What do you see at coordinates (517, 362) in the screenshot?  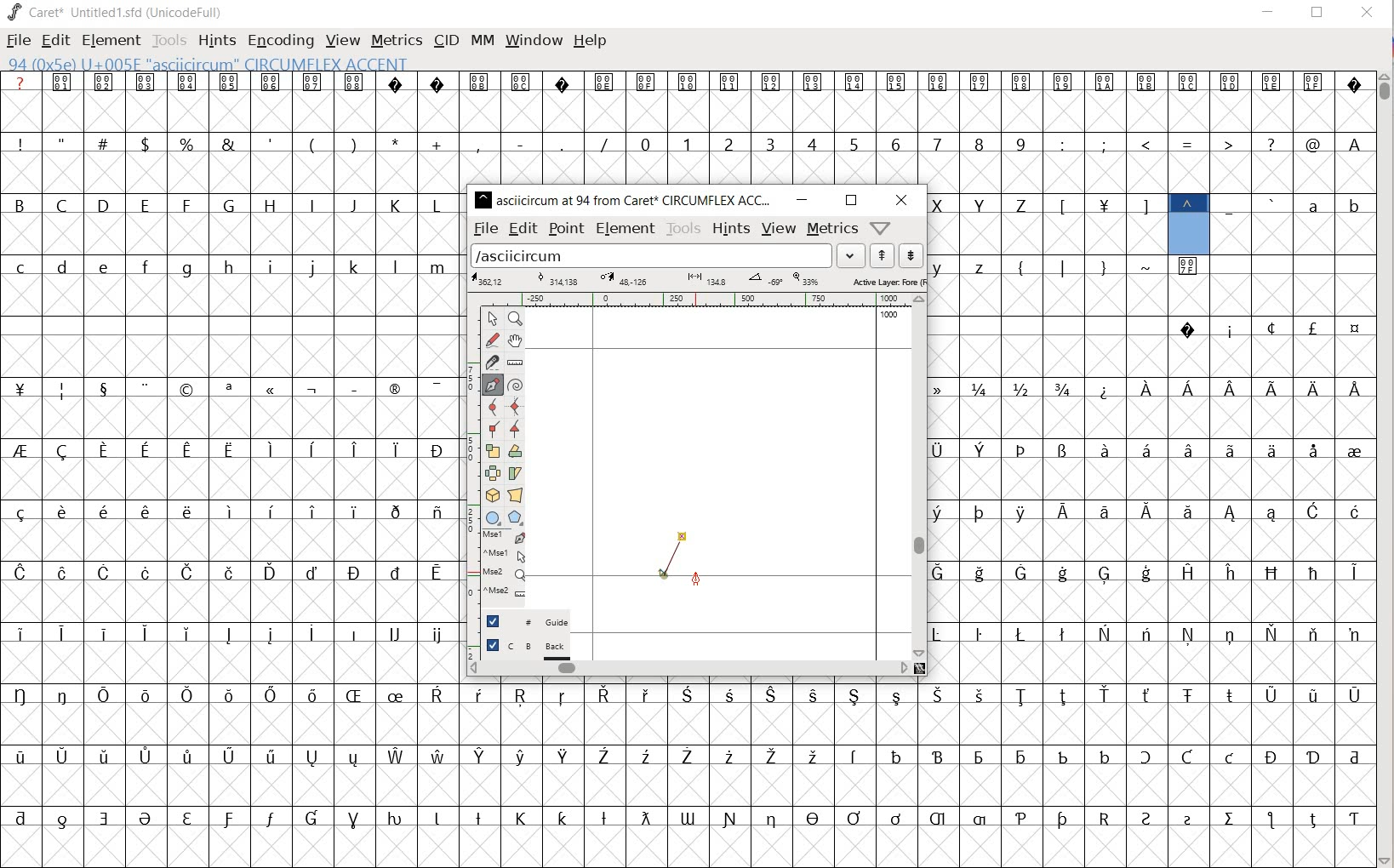 I see `measure a distance, angle between points` at bounding box center [517, 362].